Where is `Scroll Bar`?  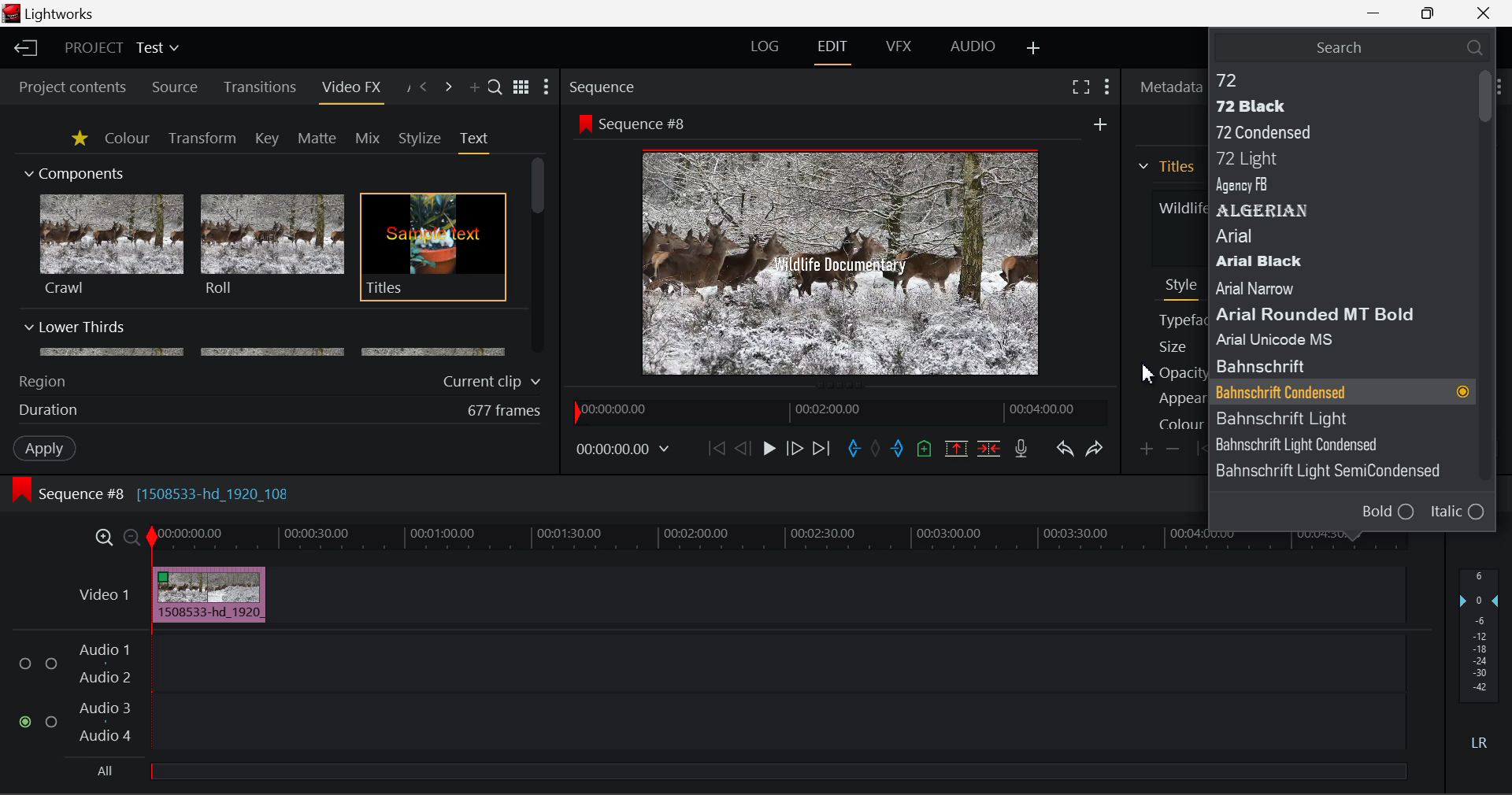 Scroll Bar is located at coordinates (539, 257).